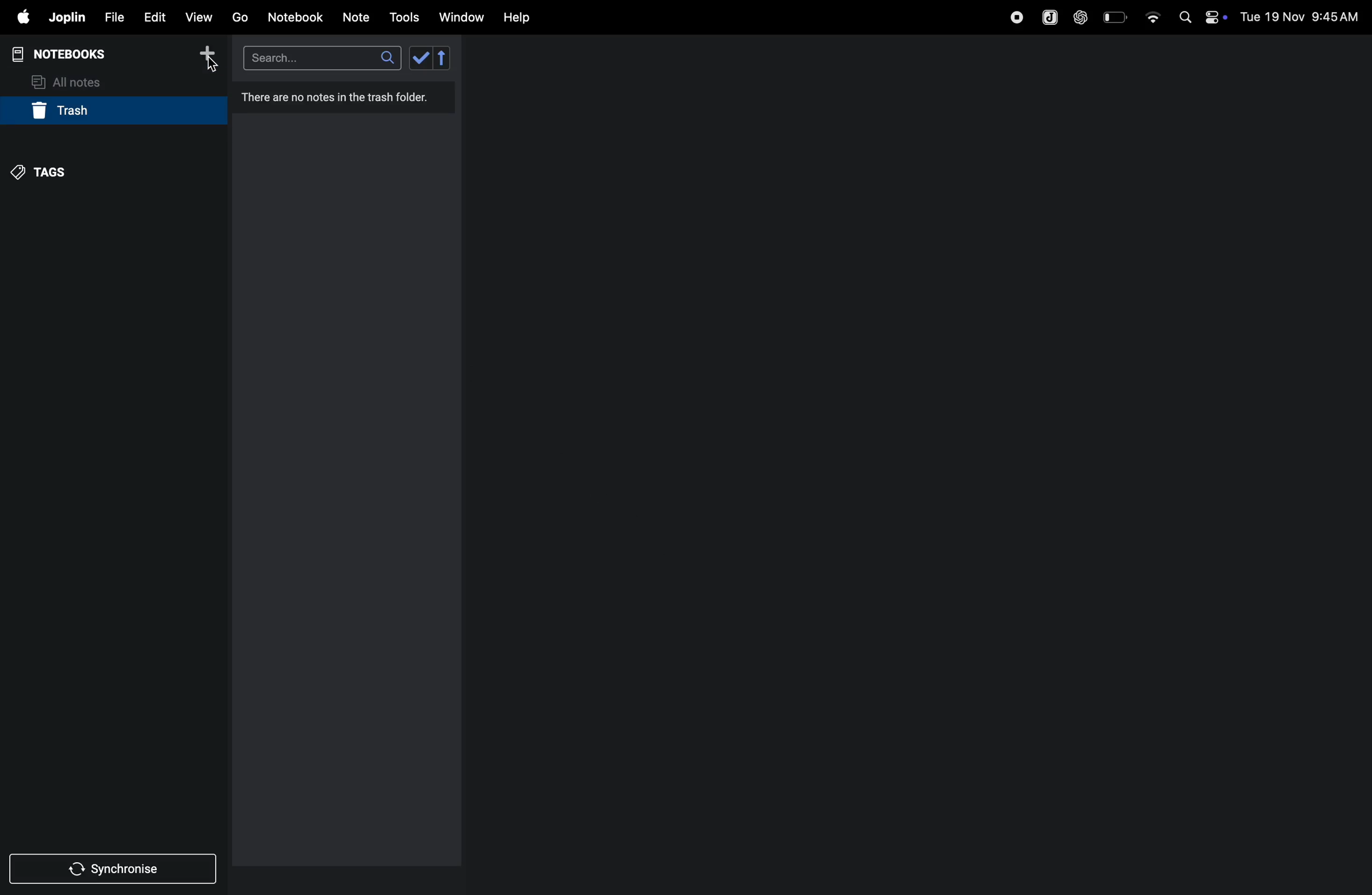 Image resolution: width=1372 pixels, height=895 pixels. I want to click on joplin, so click(1048, 17).